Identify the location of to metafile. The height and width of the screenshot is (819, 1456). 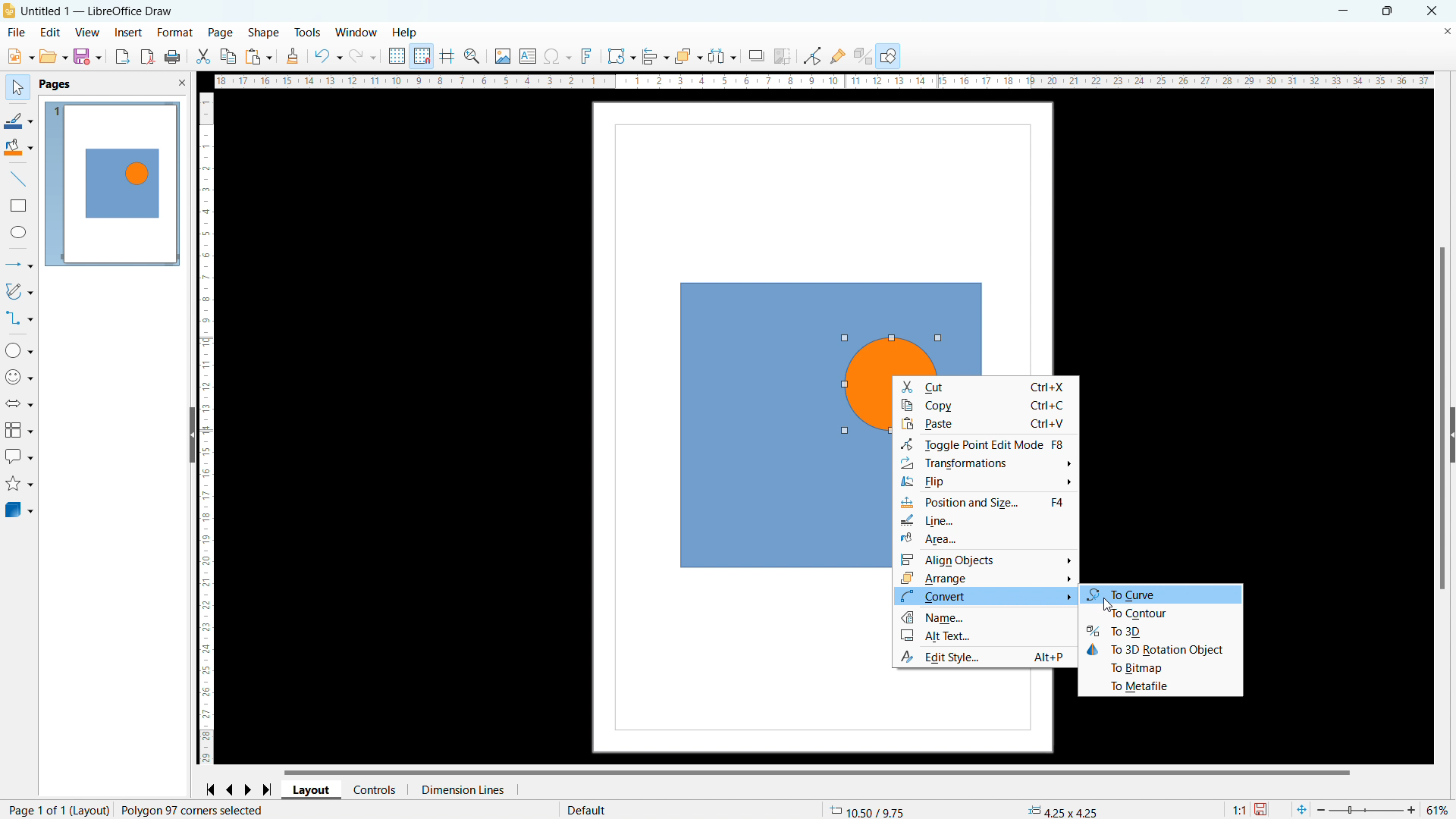
(1160, 688).